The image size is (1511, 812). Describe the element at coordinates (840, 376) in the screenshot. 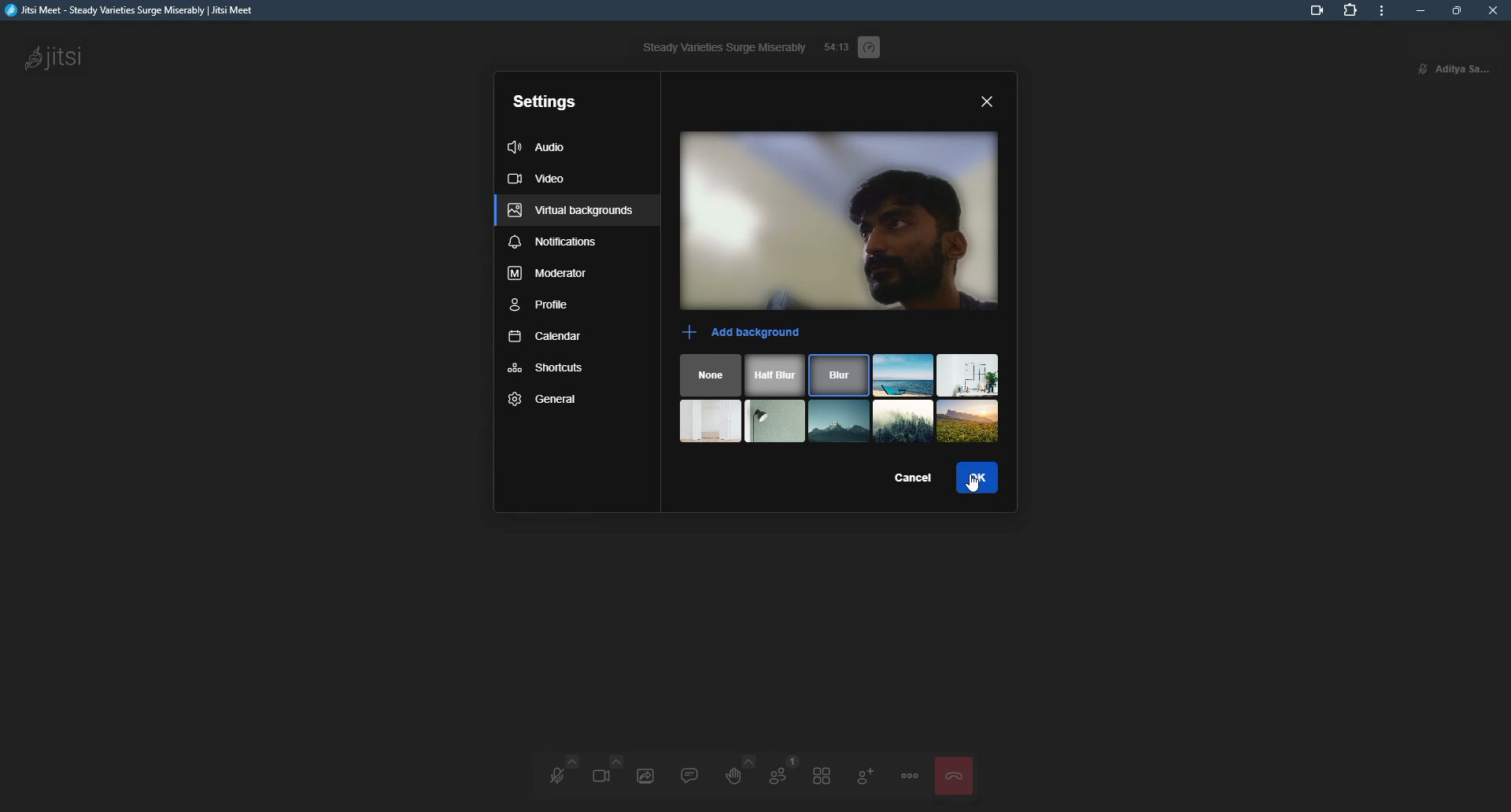

I see `blur` at that location.